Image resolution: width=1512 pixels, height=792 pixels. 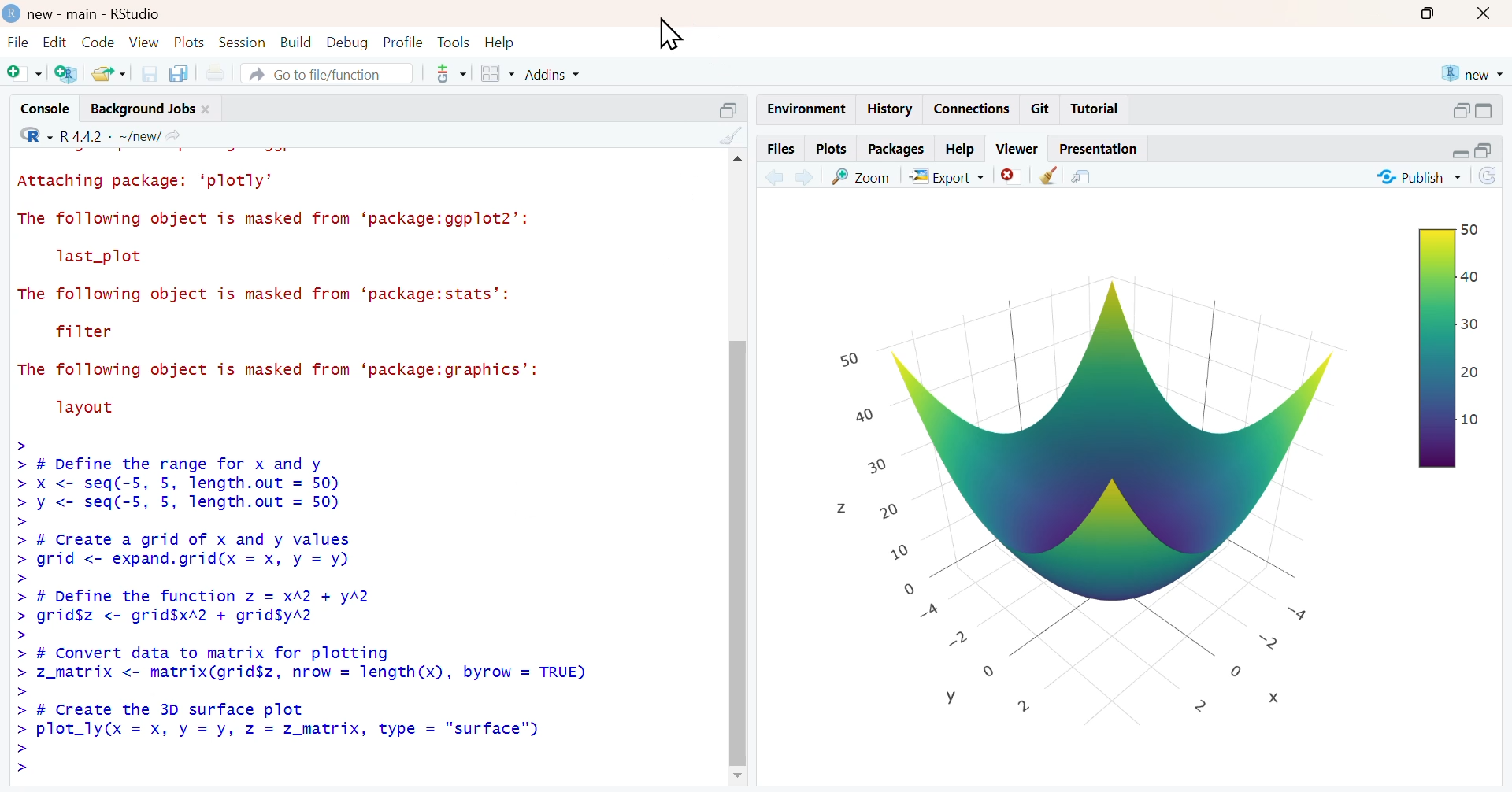 I want to click on session, so click(x=244, y=43).